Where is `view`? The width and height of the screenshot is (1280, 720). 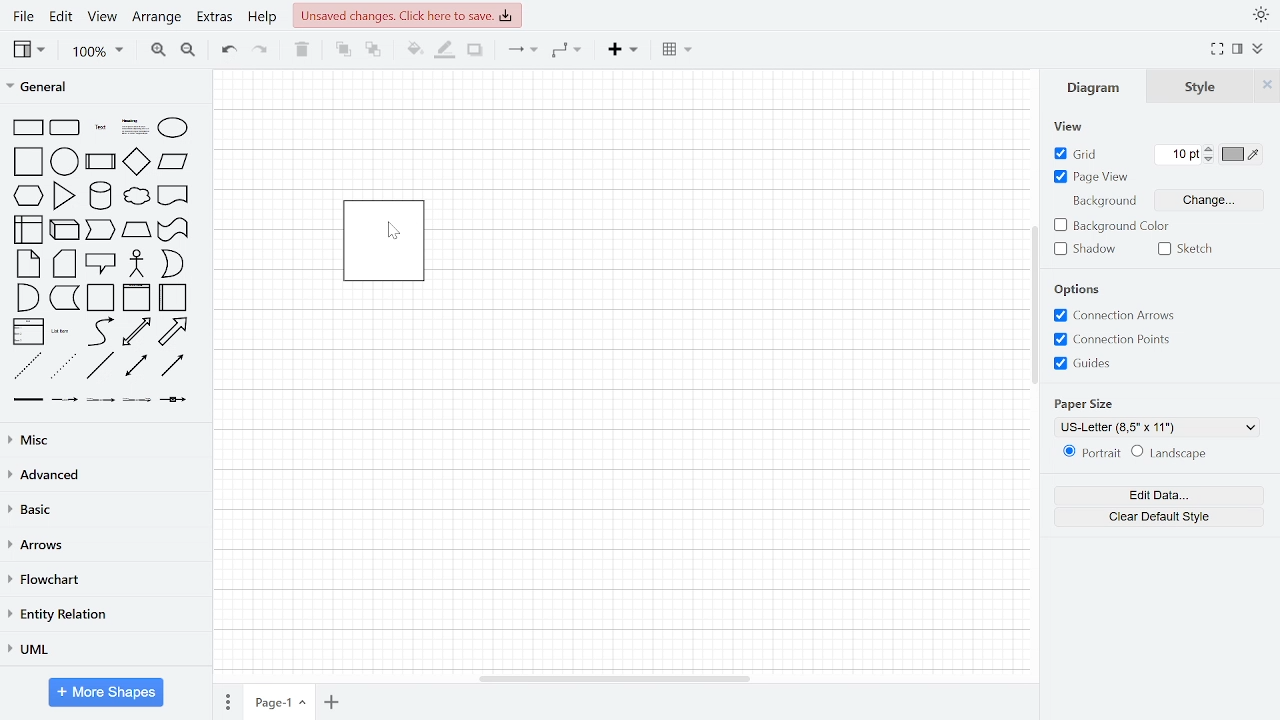
view is located at coordinates (1068, 127).